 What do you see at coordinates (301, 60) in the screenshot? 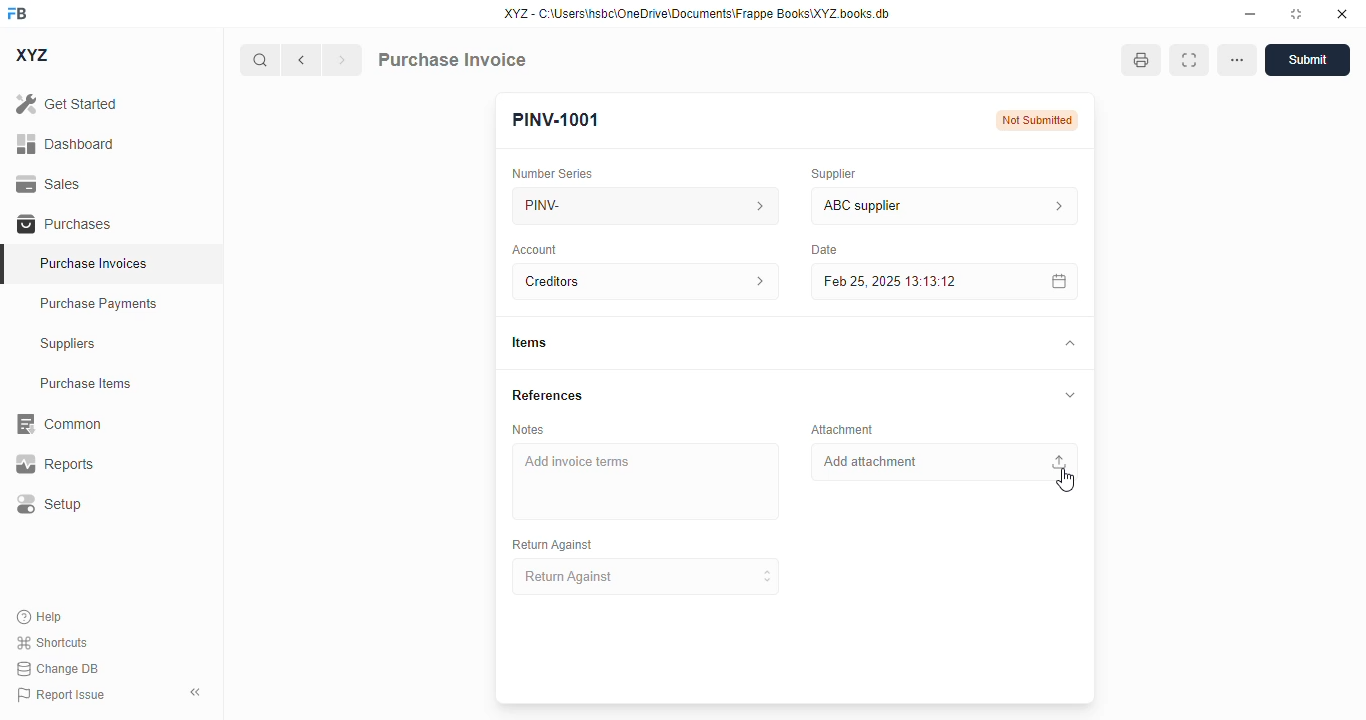
I see `previous` at bounding box center [301, 60].